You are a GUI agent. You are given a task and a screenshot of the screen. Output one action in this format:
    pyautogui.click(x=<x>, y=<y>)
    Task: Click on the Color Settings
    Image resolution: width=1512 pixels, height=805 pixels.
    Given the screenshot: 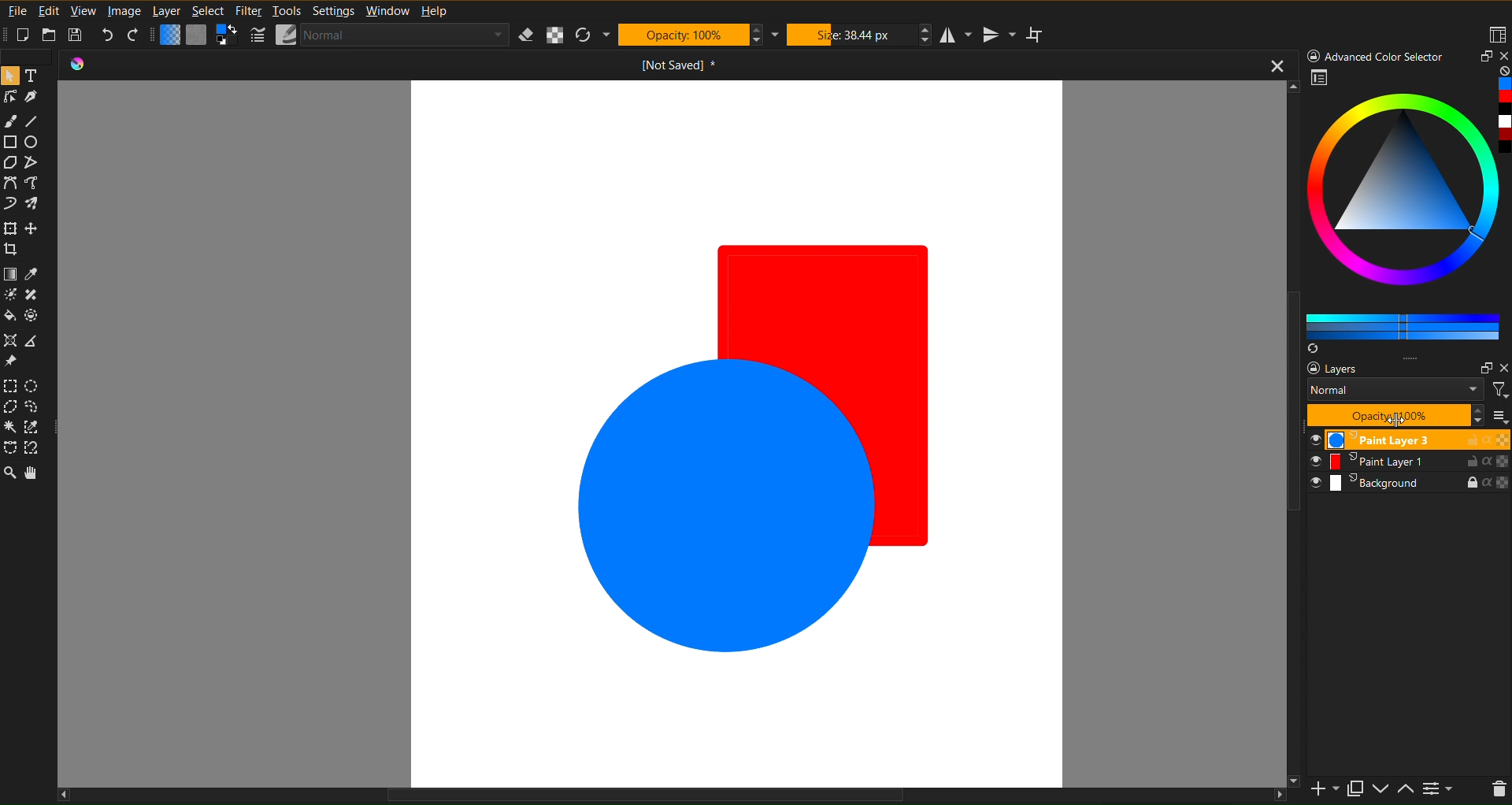 What is the action you would take?
    pyautogui.click(x=198, y=38)
    